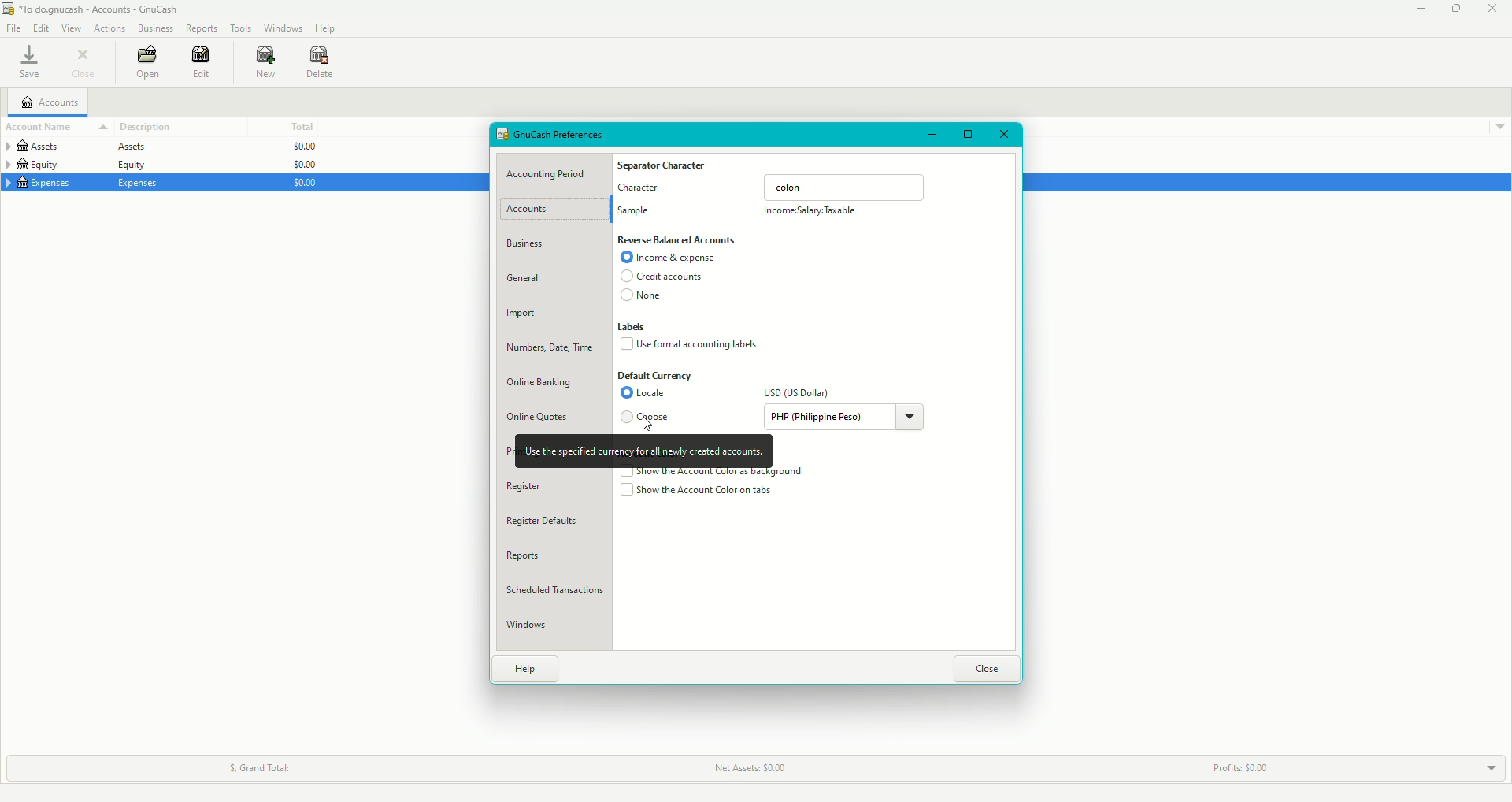 The width and height of the screenshot is (1512, 802). What do you see at coordinates (94, 9) in the screenshot?
I see `GnuCash` at bounding box center [94, 9].